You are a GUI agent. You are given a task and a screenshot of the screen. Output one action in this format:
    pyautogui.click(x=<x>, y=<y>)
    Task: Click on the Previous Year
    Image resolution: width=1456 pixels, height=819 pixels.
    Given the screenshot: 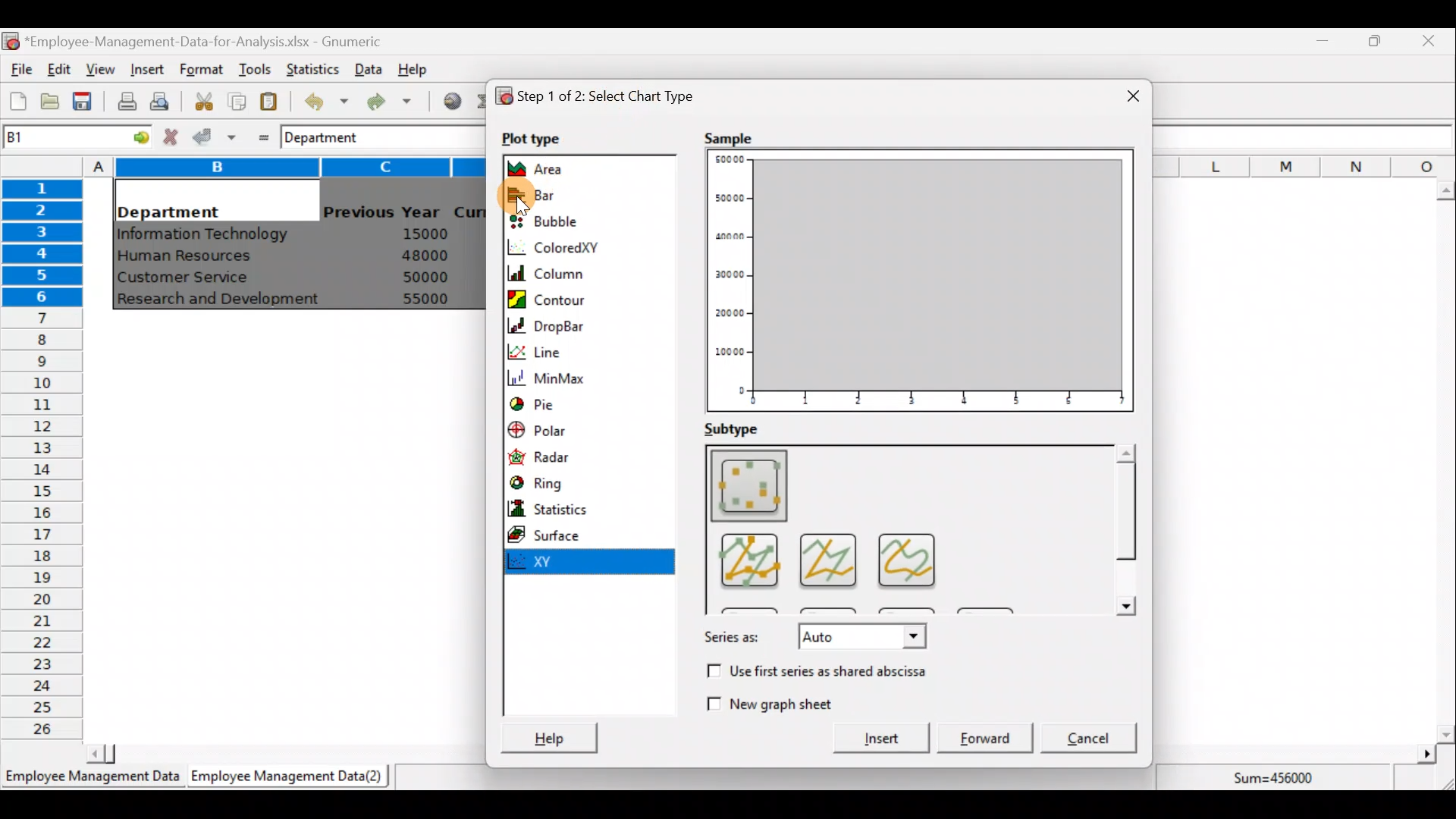 What is the action you would take?
    pyautogui.click(x=382, y=212)
    